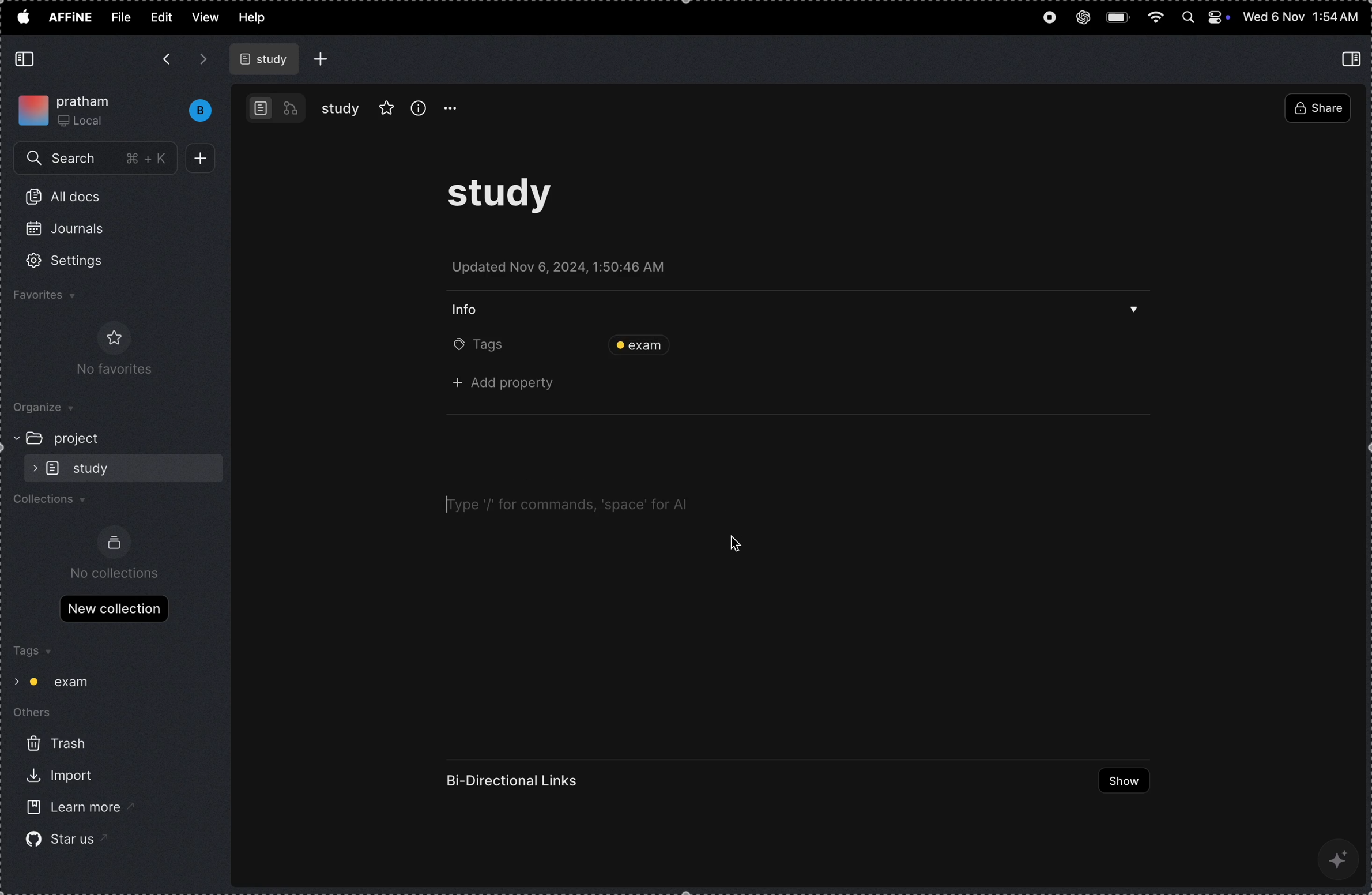 This screenshot has height=895, width=1372. I want to click on drop down, so click(1134, 312).